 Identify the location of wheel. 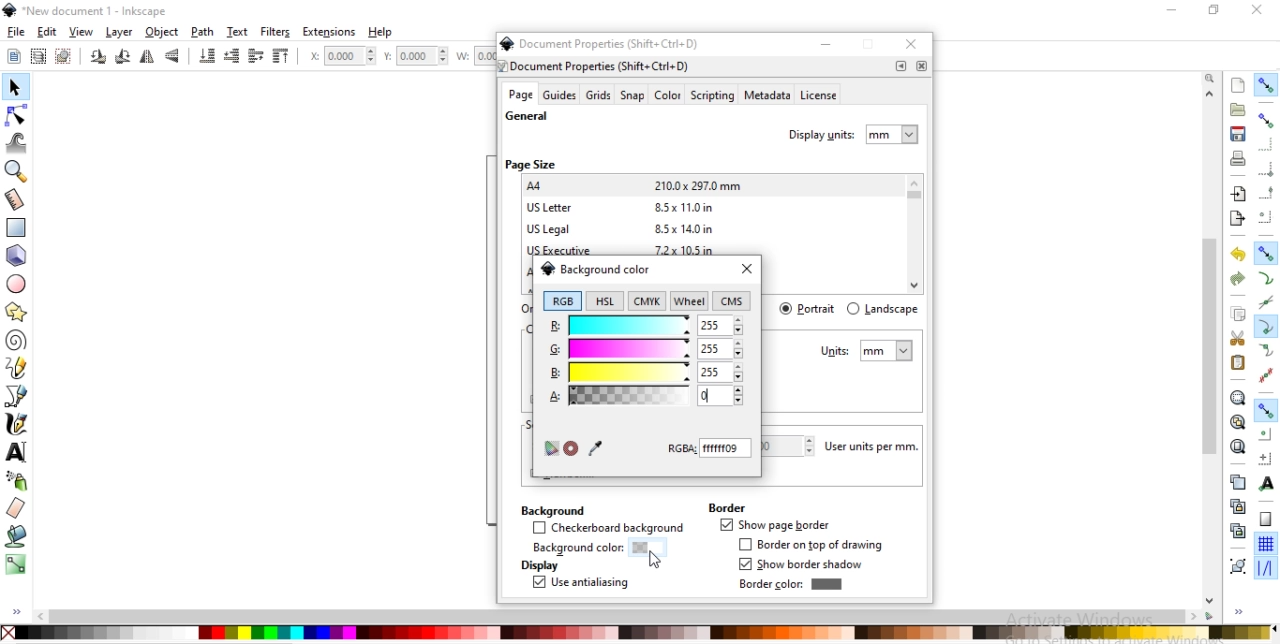
(689, 301).